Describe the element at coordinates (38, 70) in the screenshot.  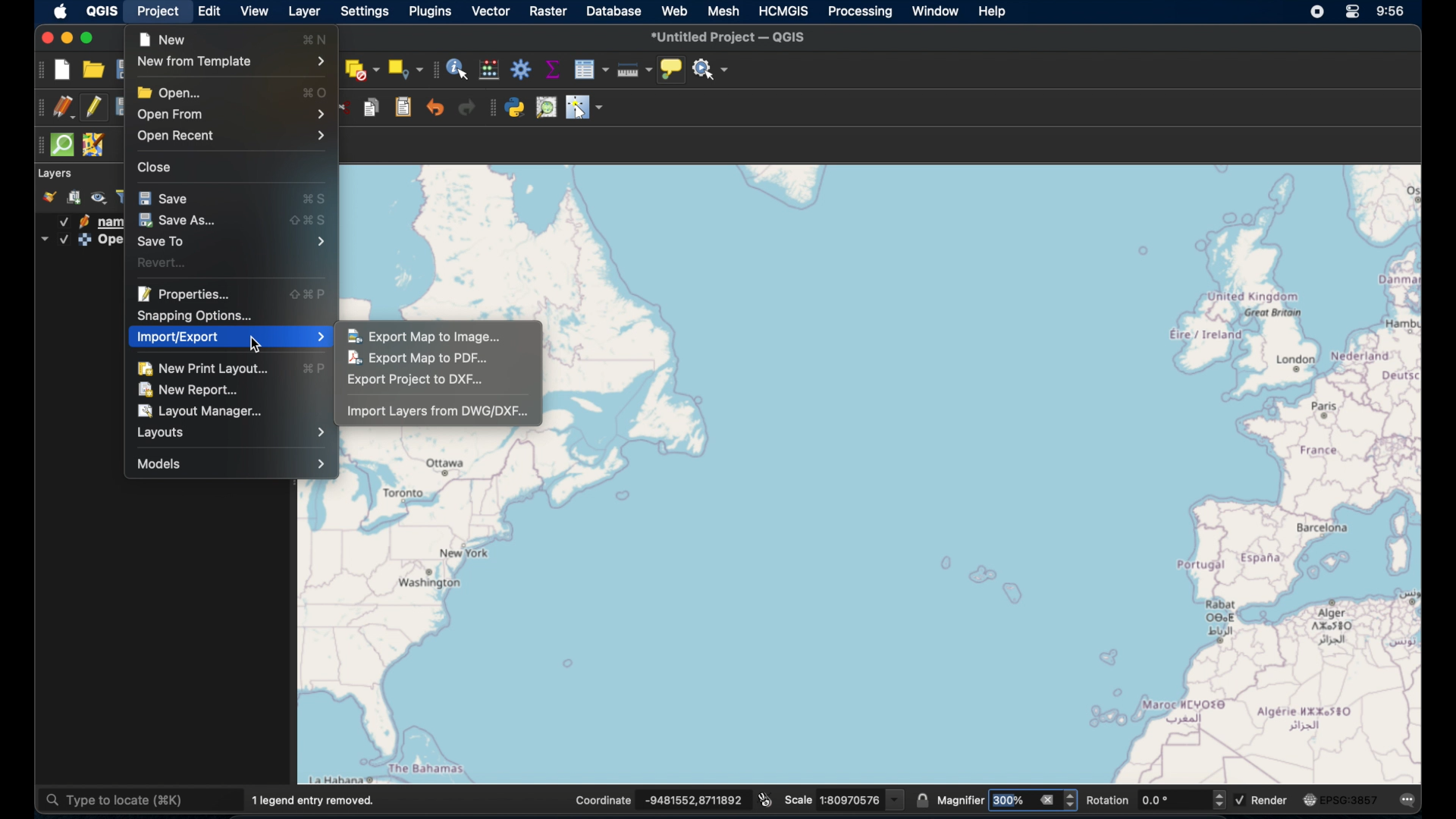
I see `project toolbar` at that location.